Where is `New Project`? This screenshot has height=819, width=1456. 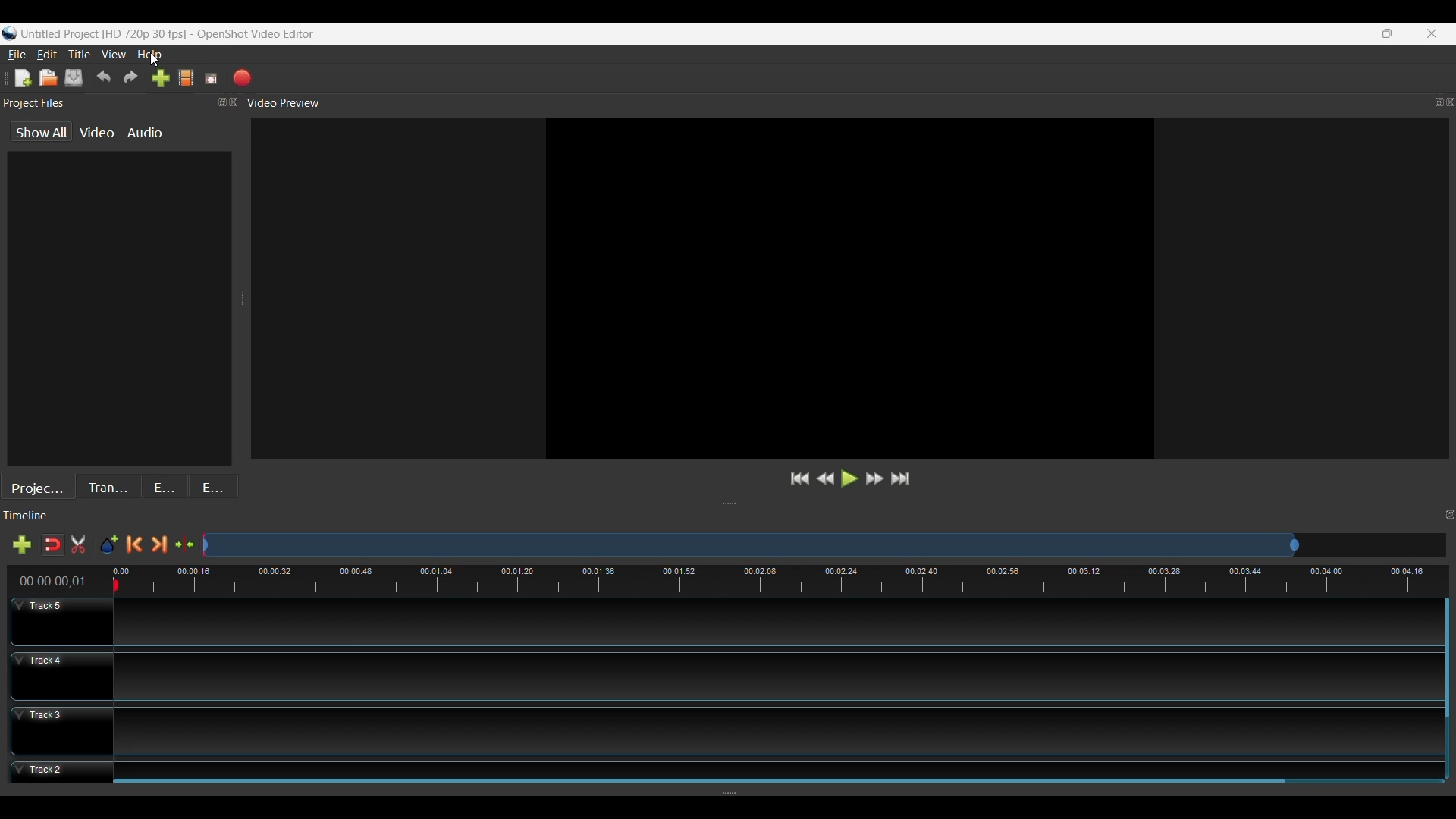 New Project is located at coordinates (20, 78).